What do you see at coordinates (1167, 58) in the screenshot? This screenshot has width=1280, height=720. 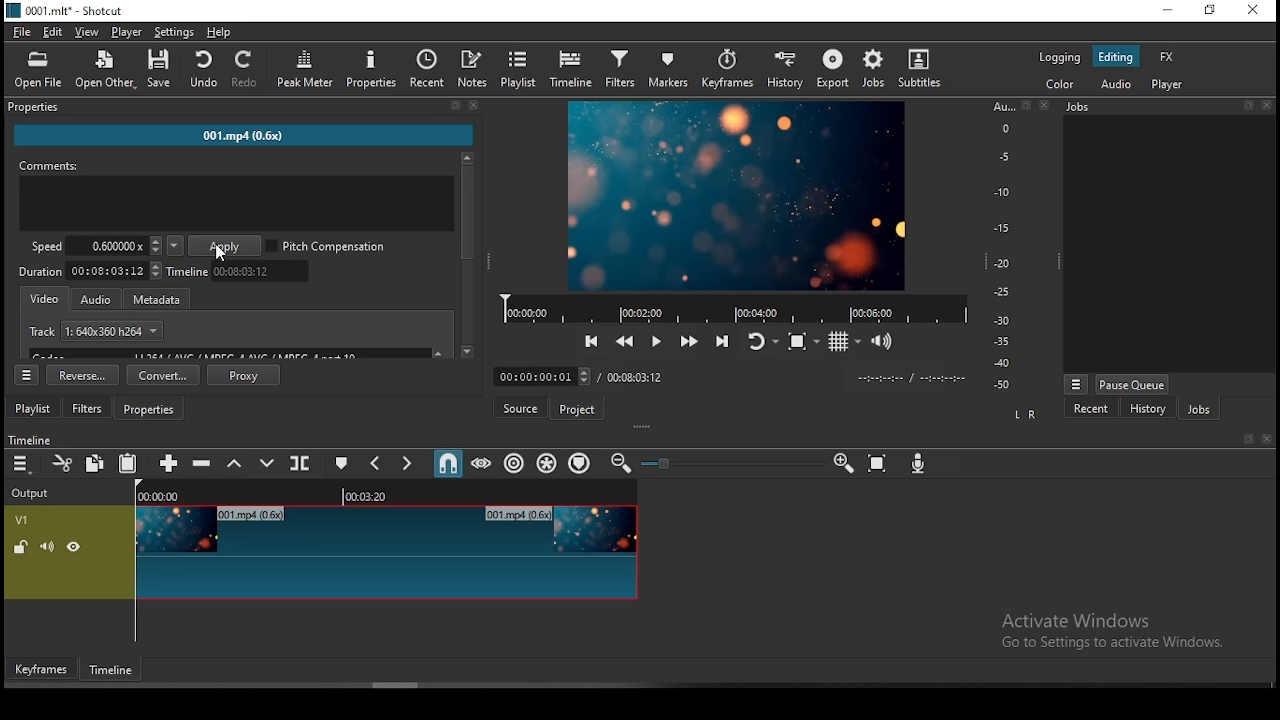 I see `fx` at bounding box center [1167, 58].